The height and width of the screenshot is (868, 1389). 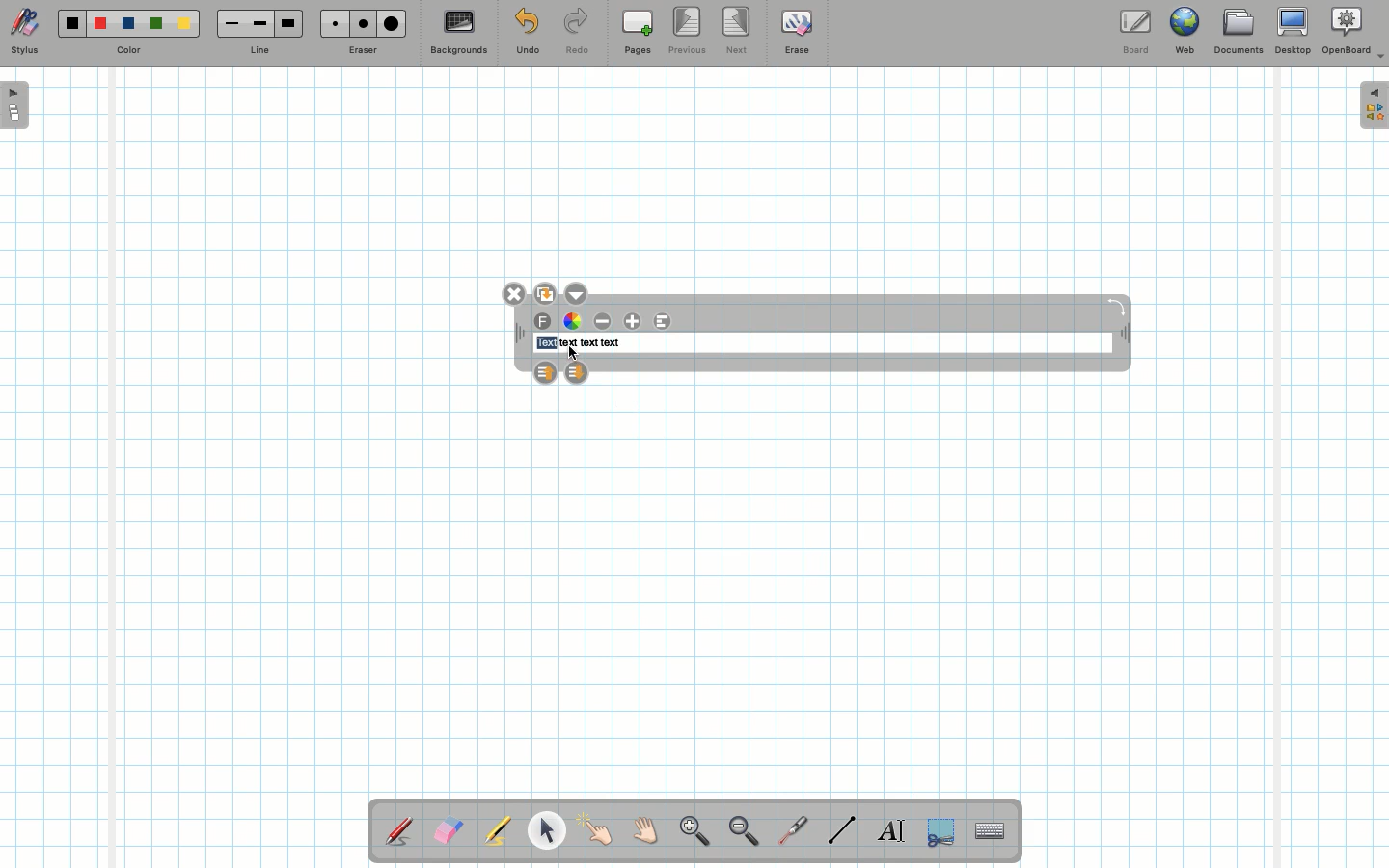 What do you see at coordinates (184, 23) in the screenshot?
I see `Yellow` at bounding box center [184, 23].